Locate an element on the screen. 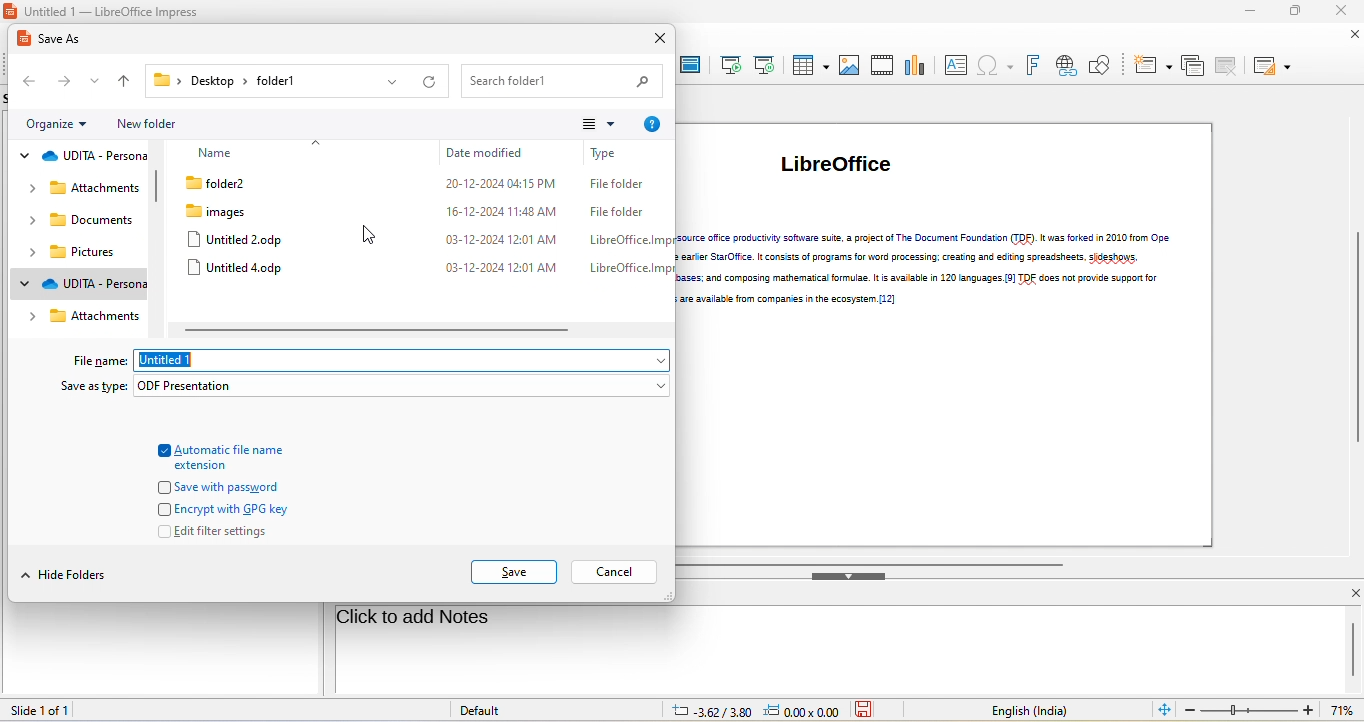  LibreOffice (li braV)[11] is a free and open-source office productivity software suite, a project of The Document Foundation (TDF). It was forked in 2010 from Ope is located at coordinates (932, 236).